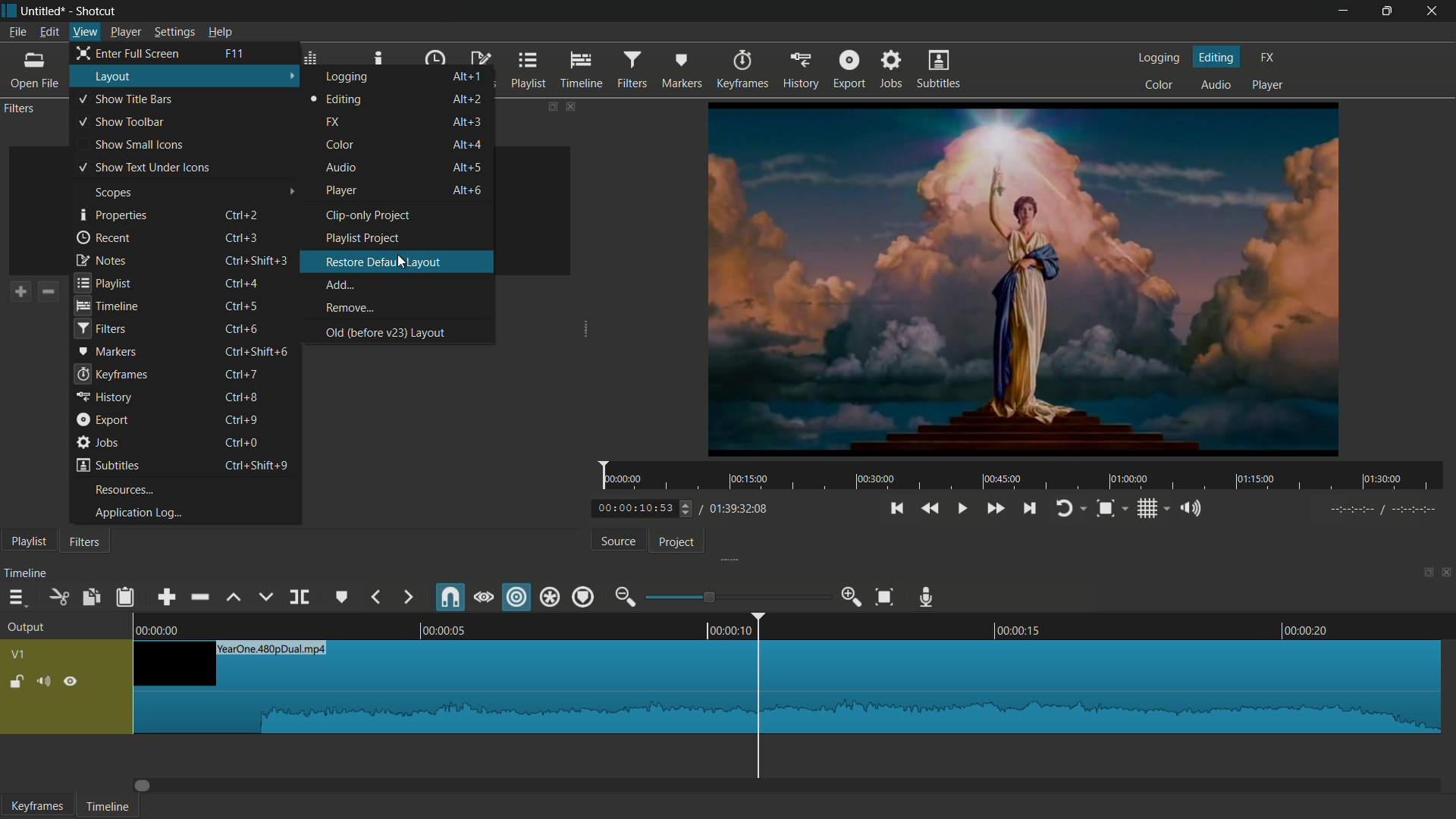 Image resolution: width=1456 pixels, height=819 pixels. What do you see at coordinates (37, 806) in the screenshot?
I see `keyframes` at bounding box center [37, 806].